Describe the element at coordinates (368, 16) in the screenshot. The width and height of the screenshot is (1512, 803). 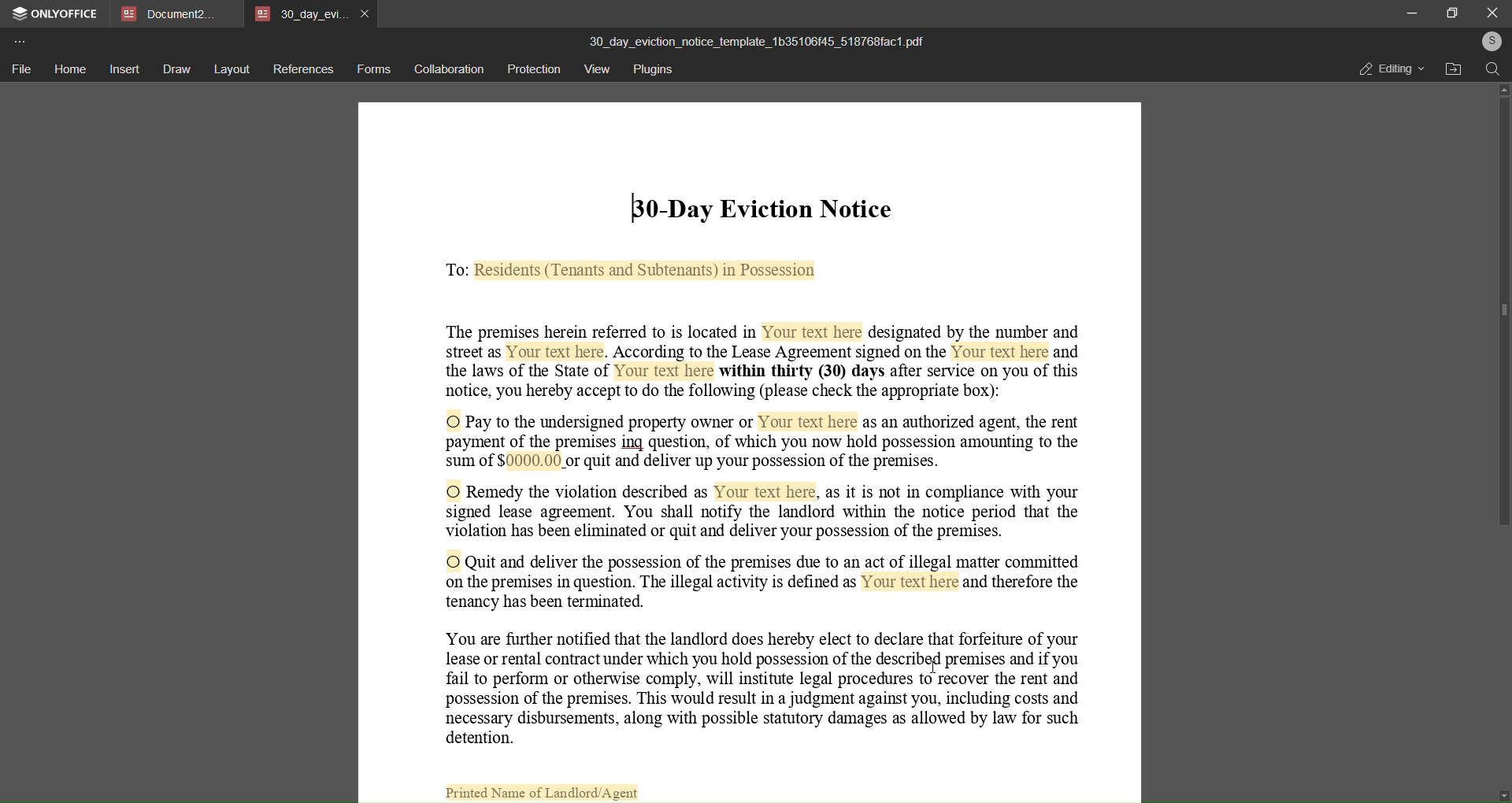
I see `close tab` at that location.